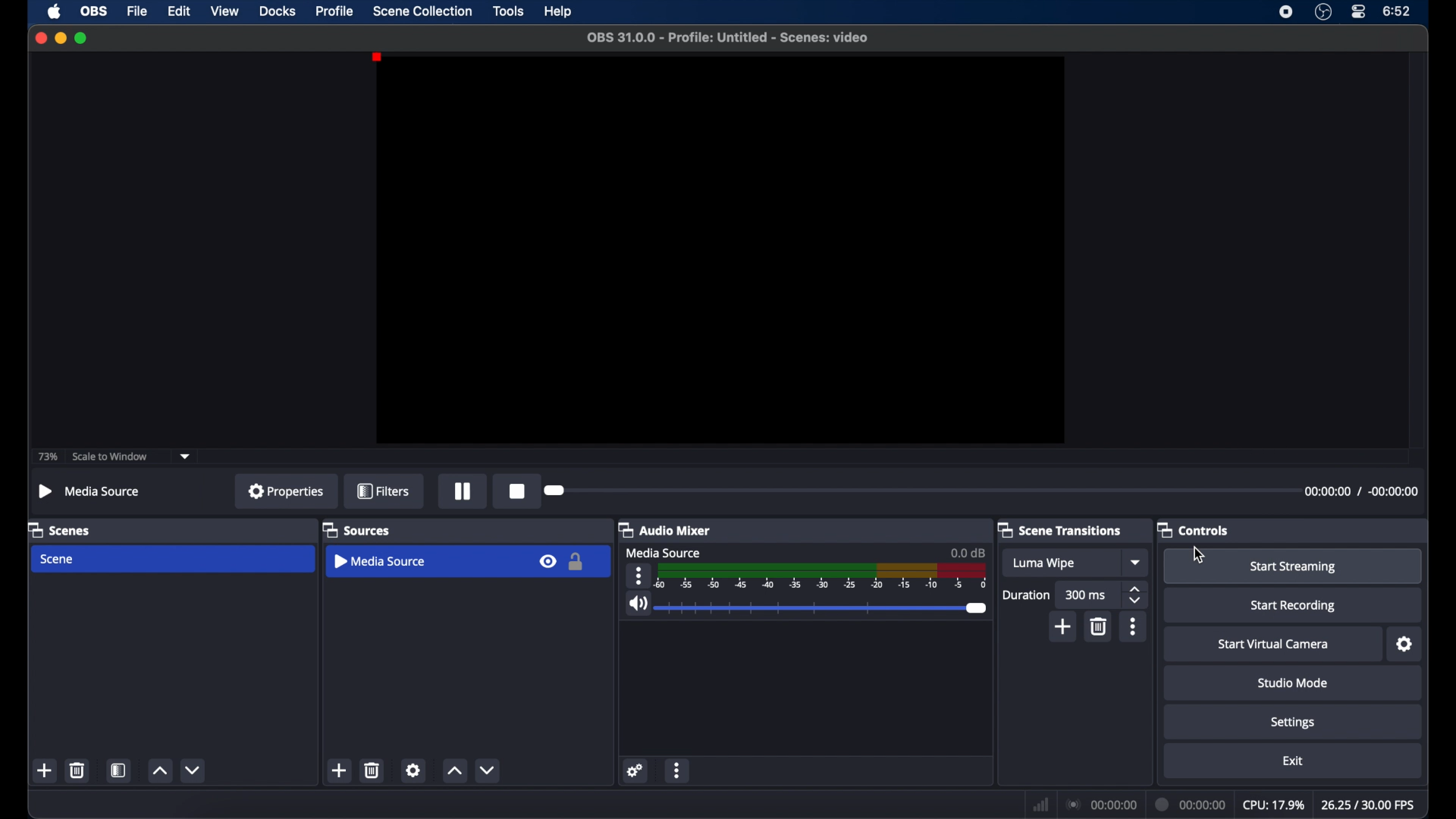 The width and height of the screenshot is (1456, 819). What do you see at coordinates (639, 576) in the screenshot?
I see `more options` at bounding box center [639, 576].